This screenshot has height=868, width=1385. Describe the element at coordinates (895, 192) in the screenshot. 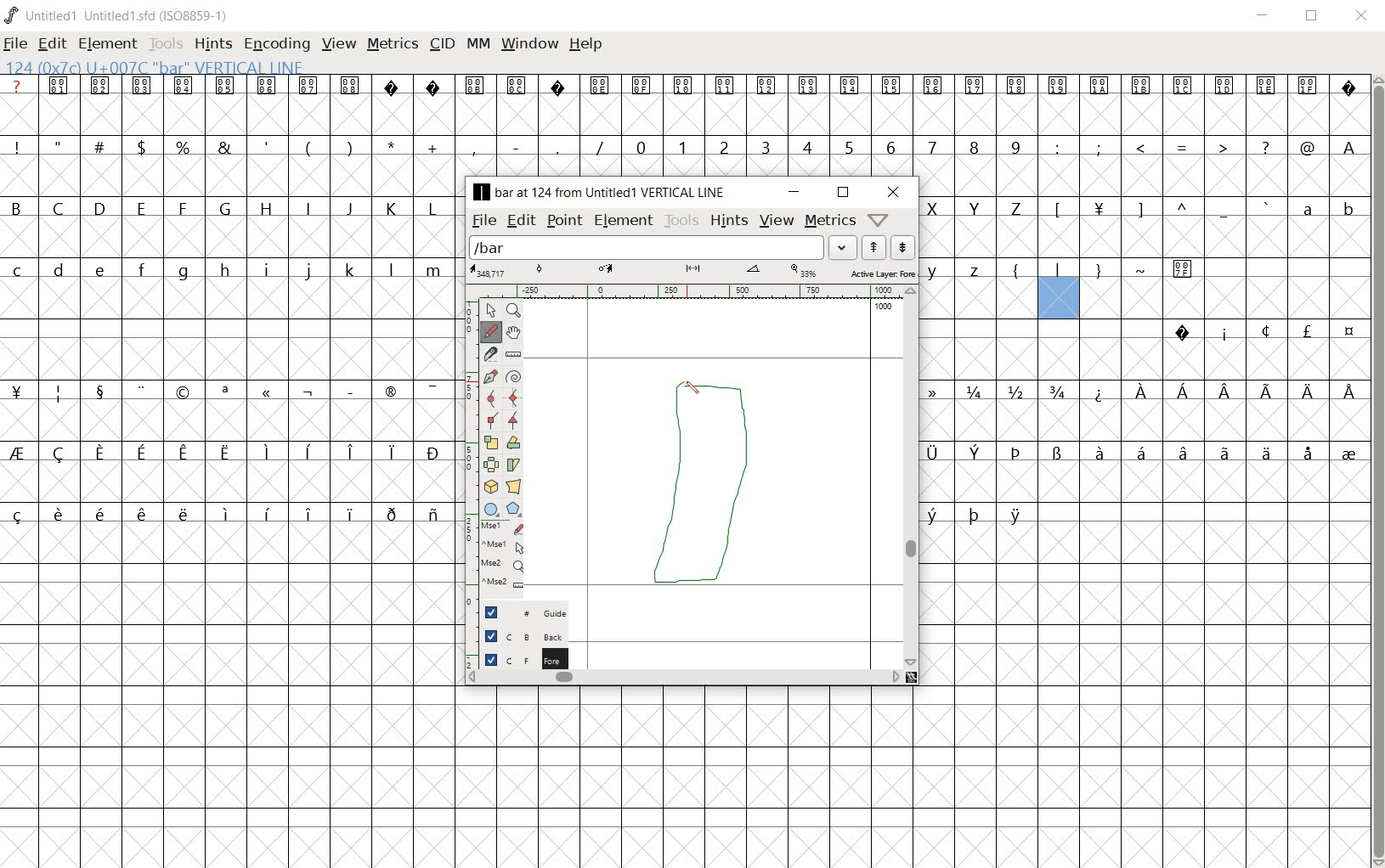

I see `close` at that location.